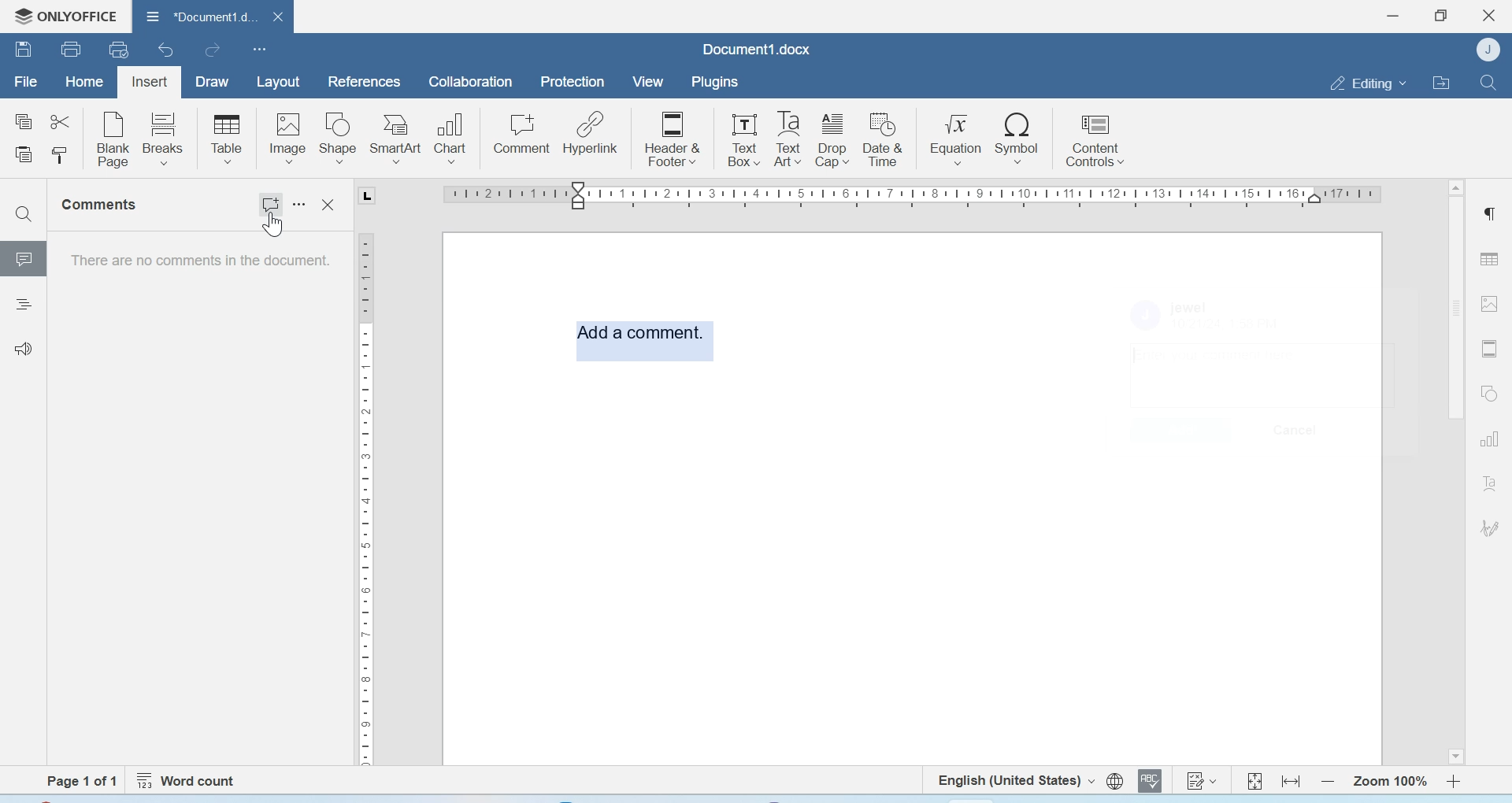 This screenshot has width=1512, height=803. I want to click on Paste, so click(25, 156).